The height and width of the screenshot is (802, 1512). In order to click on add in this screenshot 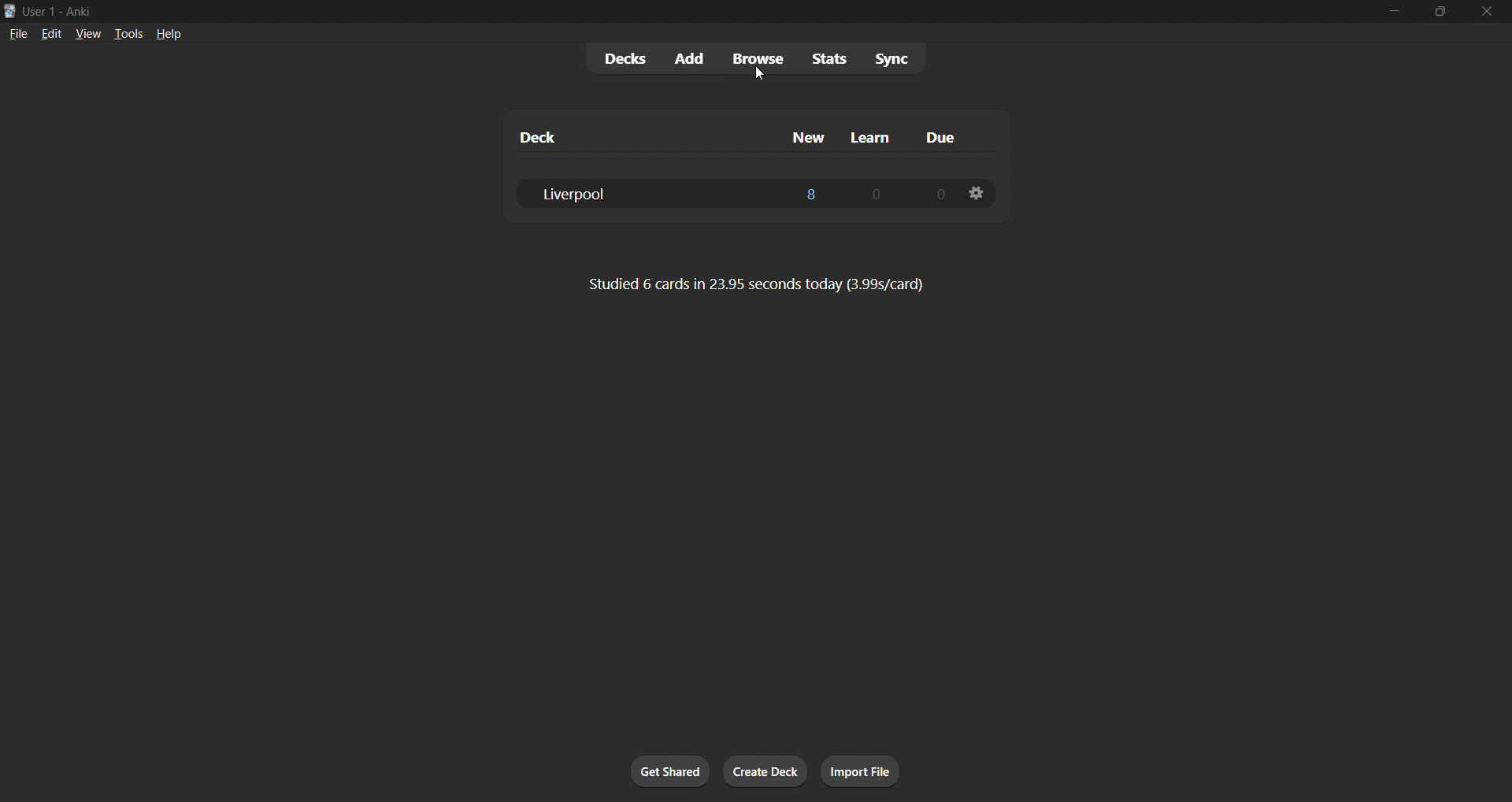, I will do `click(680, 56)`.